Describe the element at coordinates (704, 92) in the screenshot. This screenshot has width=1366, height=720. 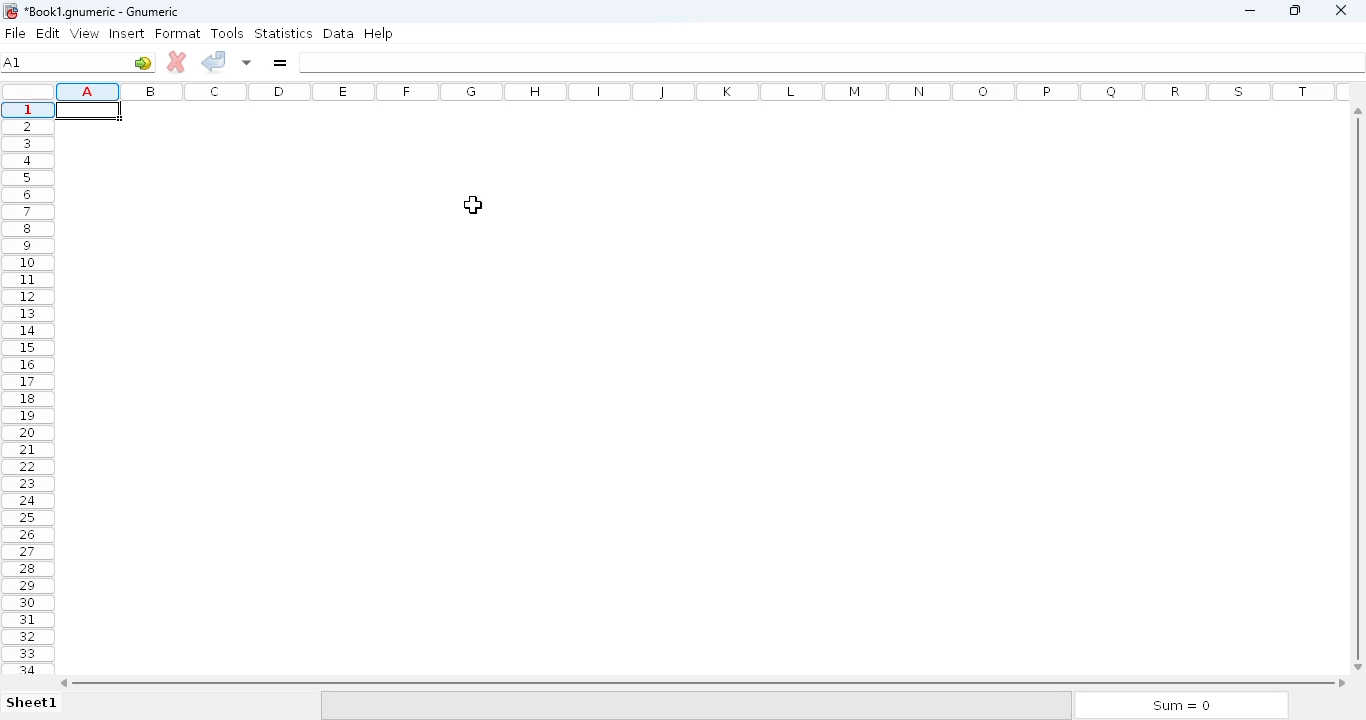
I see `columns` at that location.